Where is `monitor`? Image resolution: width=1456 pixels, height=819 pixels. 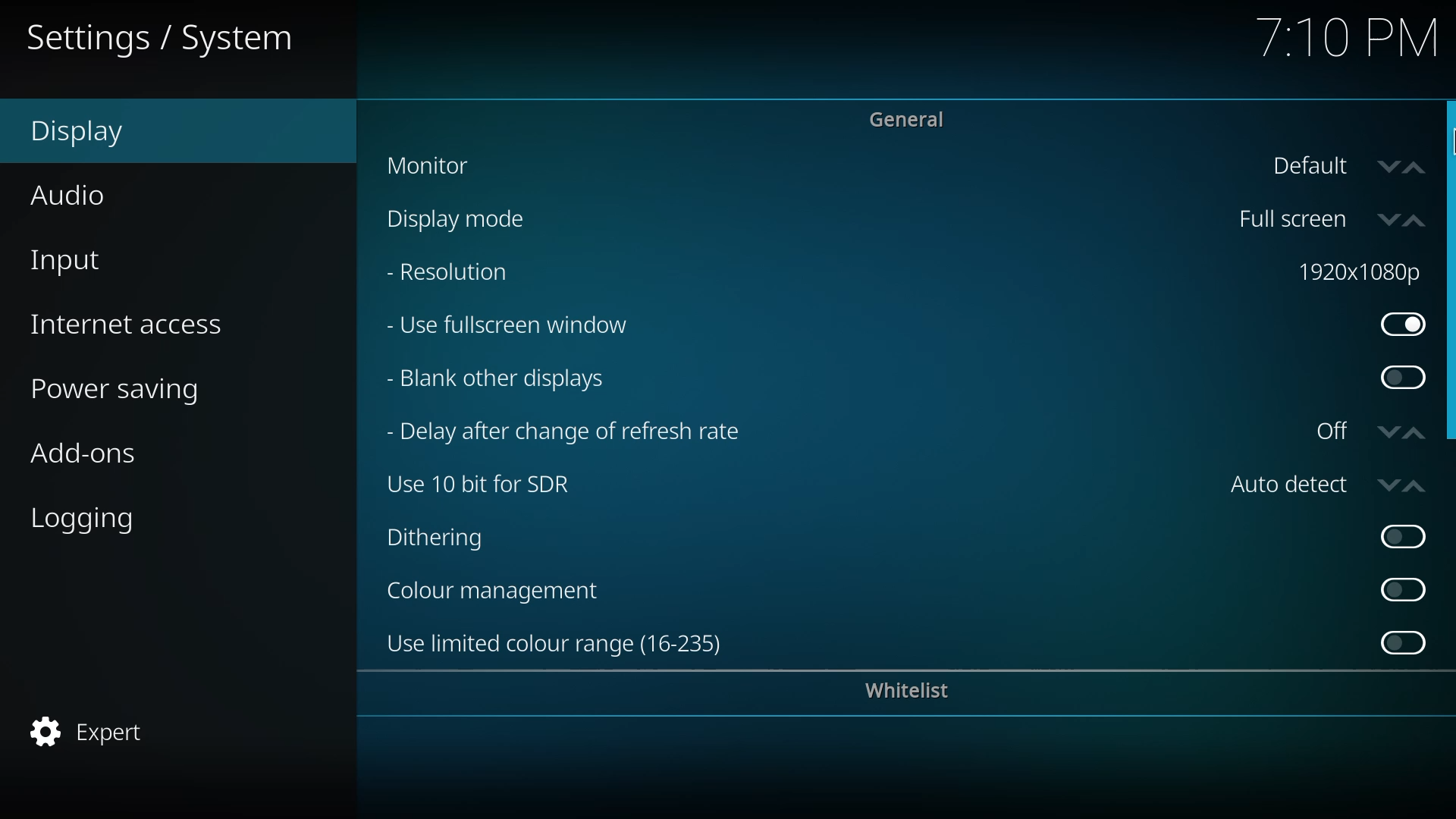 monitor is located at coordinates (432, 165).